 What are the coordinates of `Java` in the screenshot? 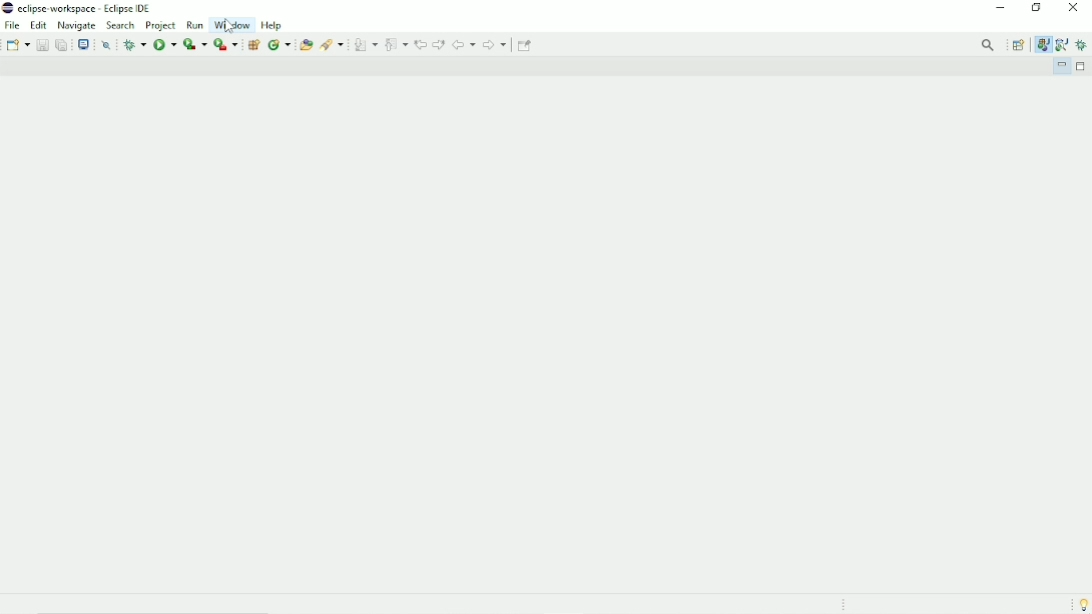 It's located at (1043, 45).